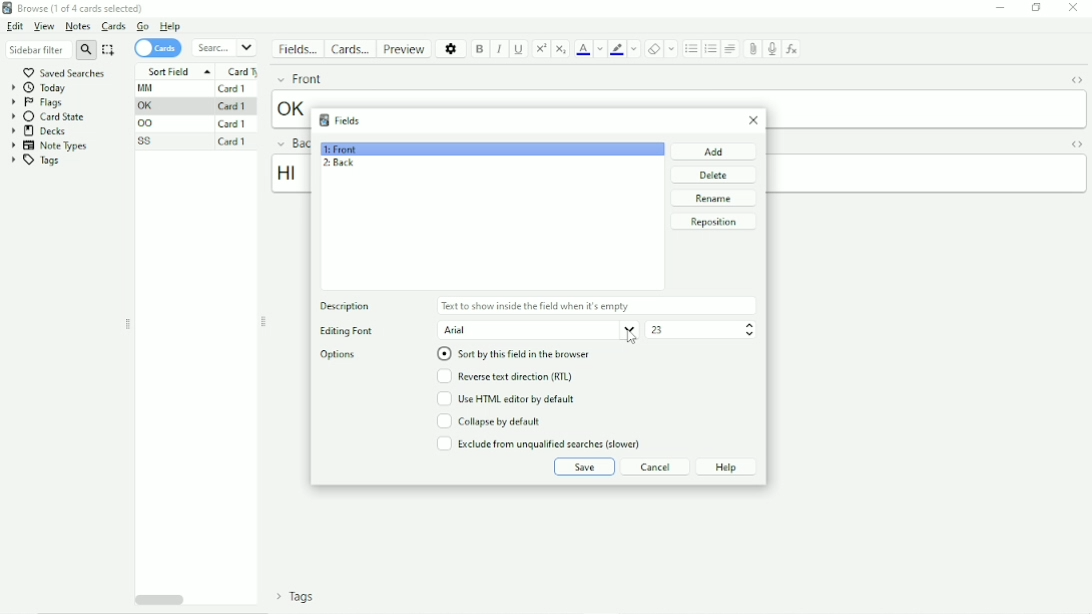  Describe the element at coordinates (48, 146) in the screenshot. I see `Note Types` at that location.